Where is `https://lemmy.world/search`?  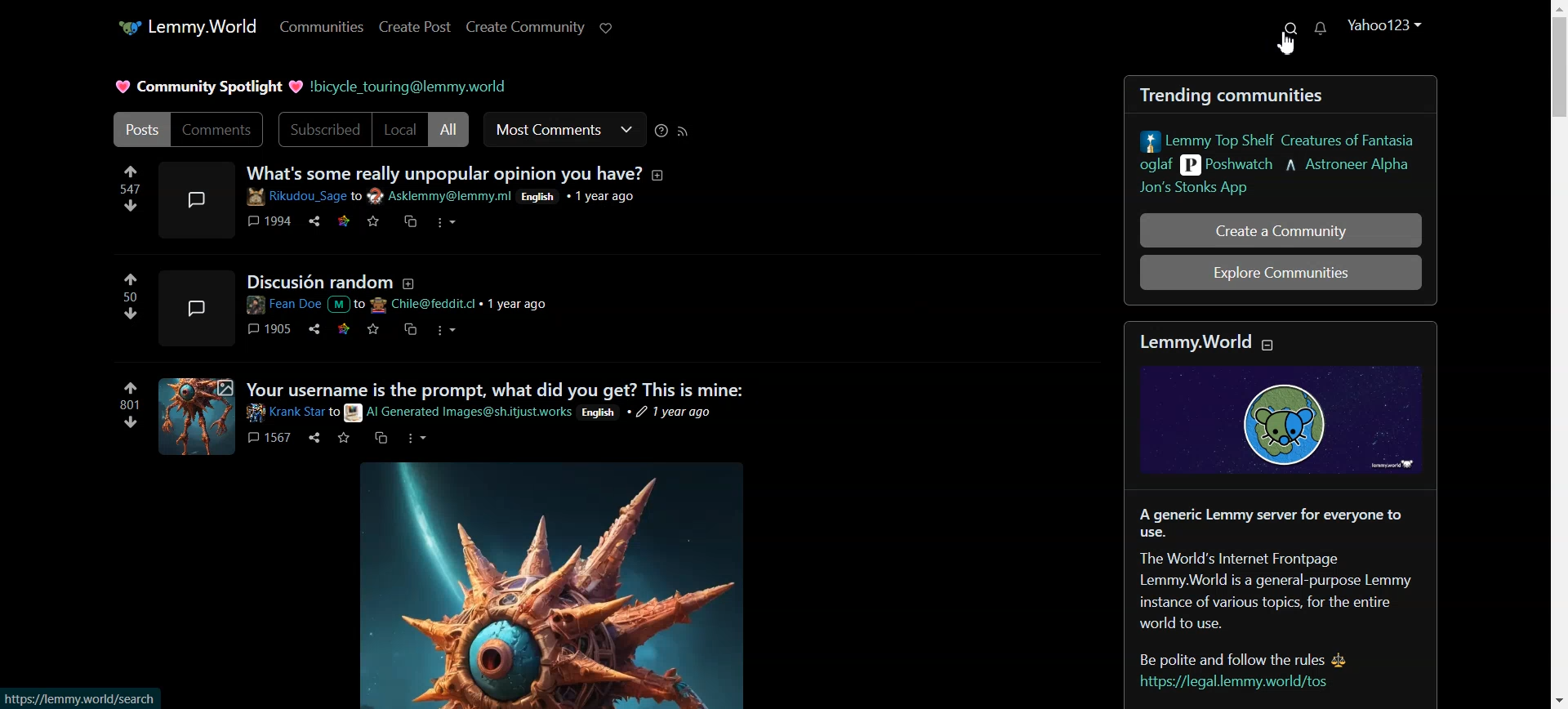 https://lemmy.world/search is located at coordinates (78, 699).